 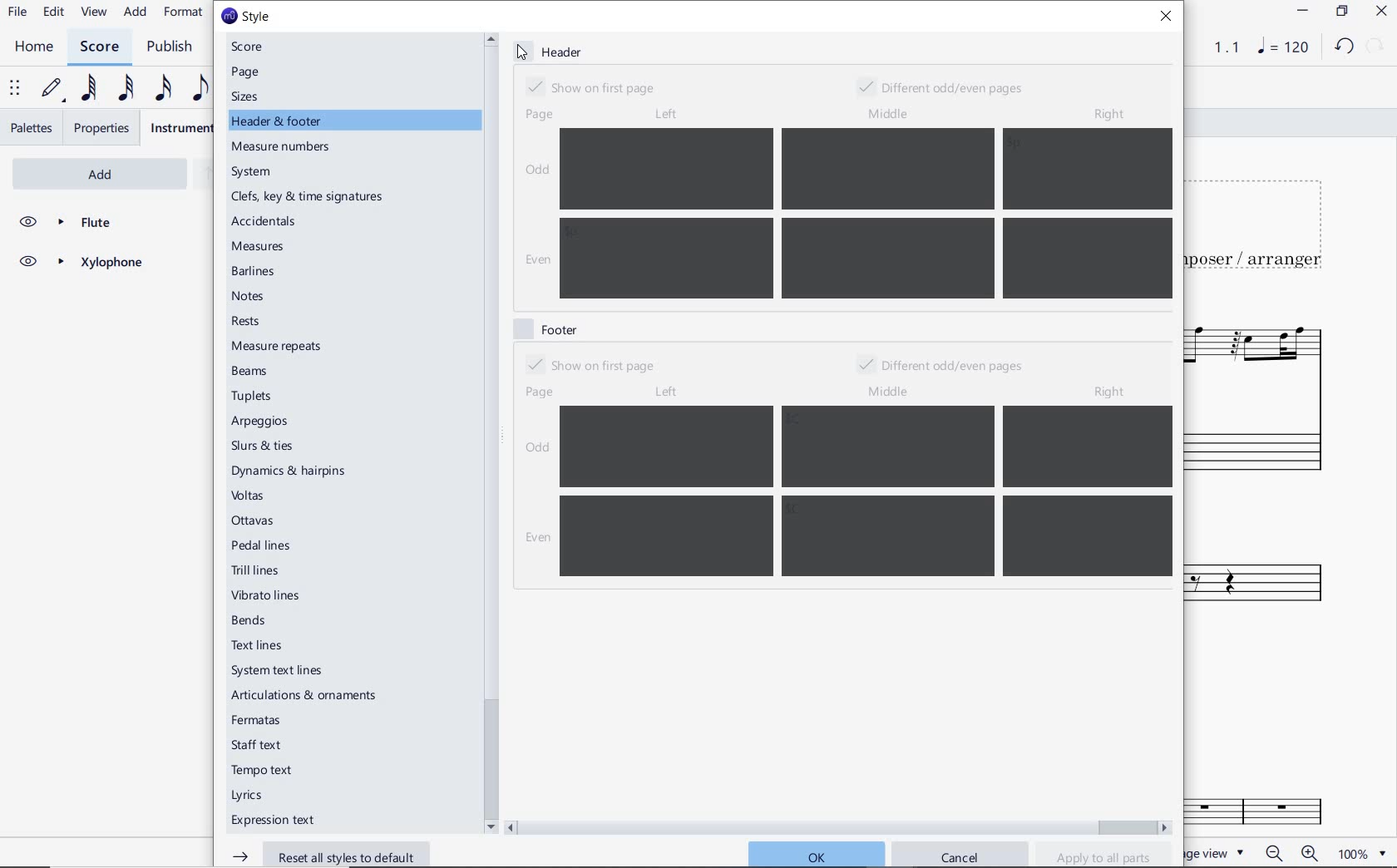 I want to click on staff text, so click(x=258, y=745).